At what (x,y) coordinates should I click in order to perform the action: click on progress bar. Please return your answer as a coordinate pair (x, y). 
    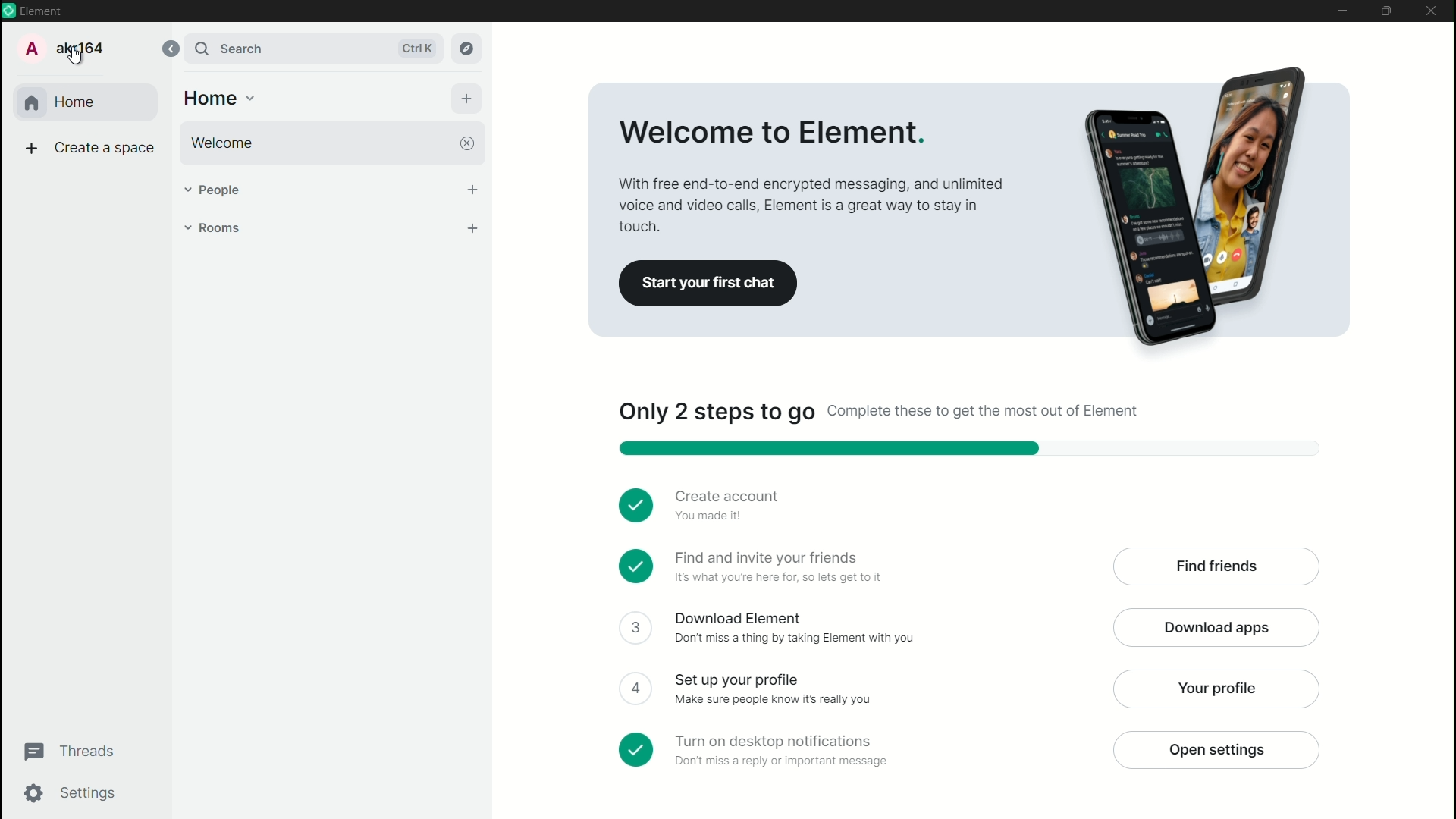
    Looking at the image, I should click on (968, 450).